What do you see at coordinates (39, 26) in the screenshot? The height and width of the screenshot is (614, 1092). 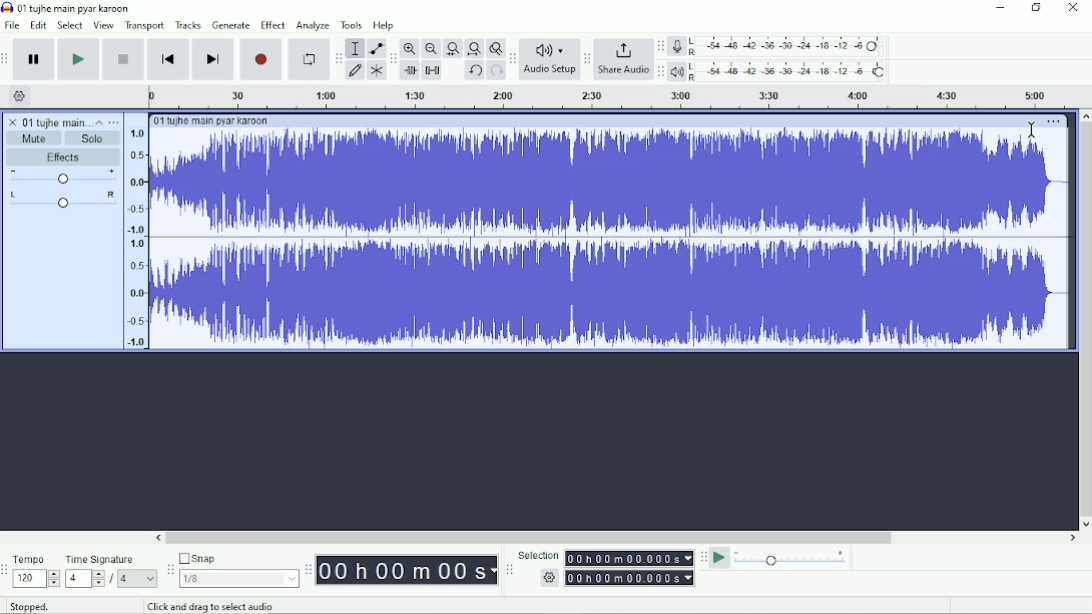 I see `Edit` at bounding box center [39, 26].